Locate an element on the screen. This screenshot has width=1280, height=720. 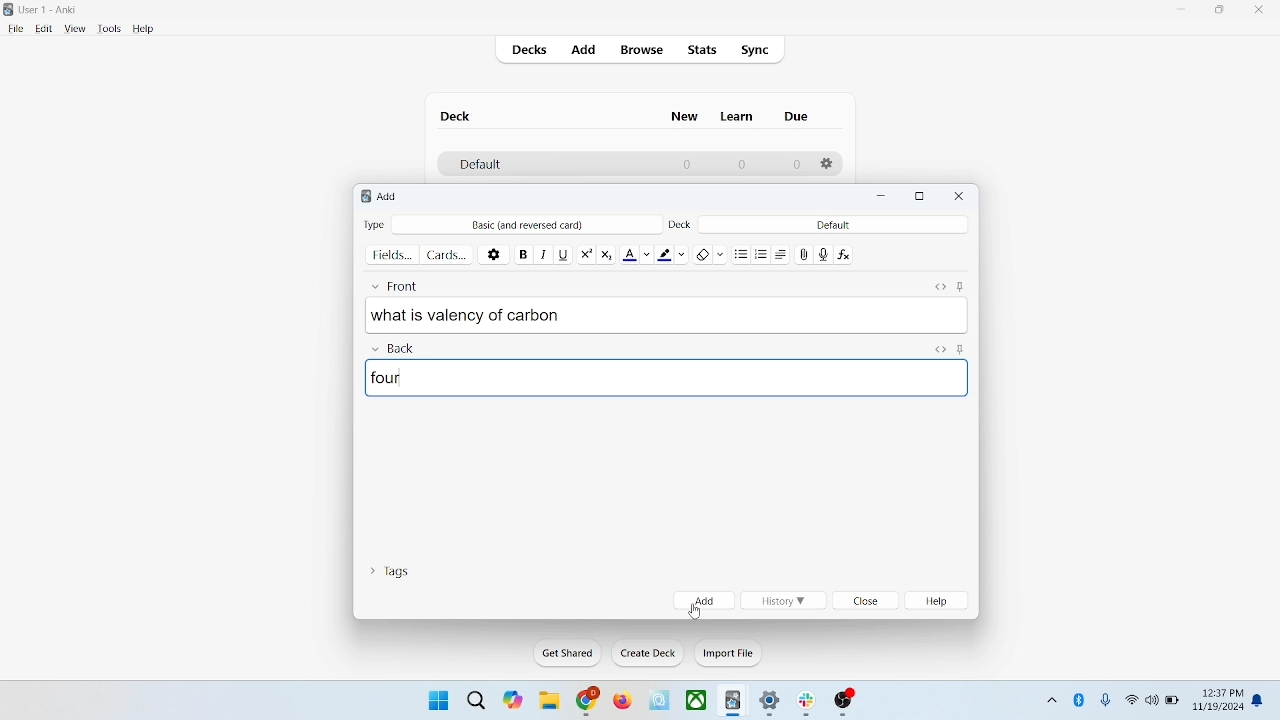
microphone is located at coordinates (1107, 701).